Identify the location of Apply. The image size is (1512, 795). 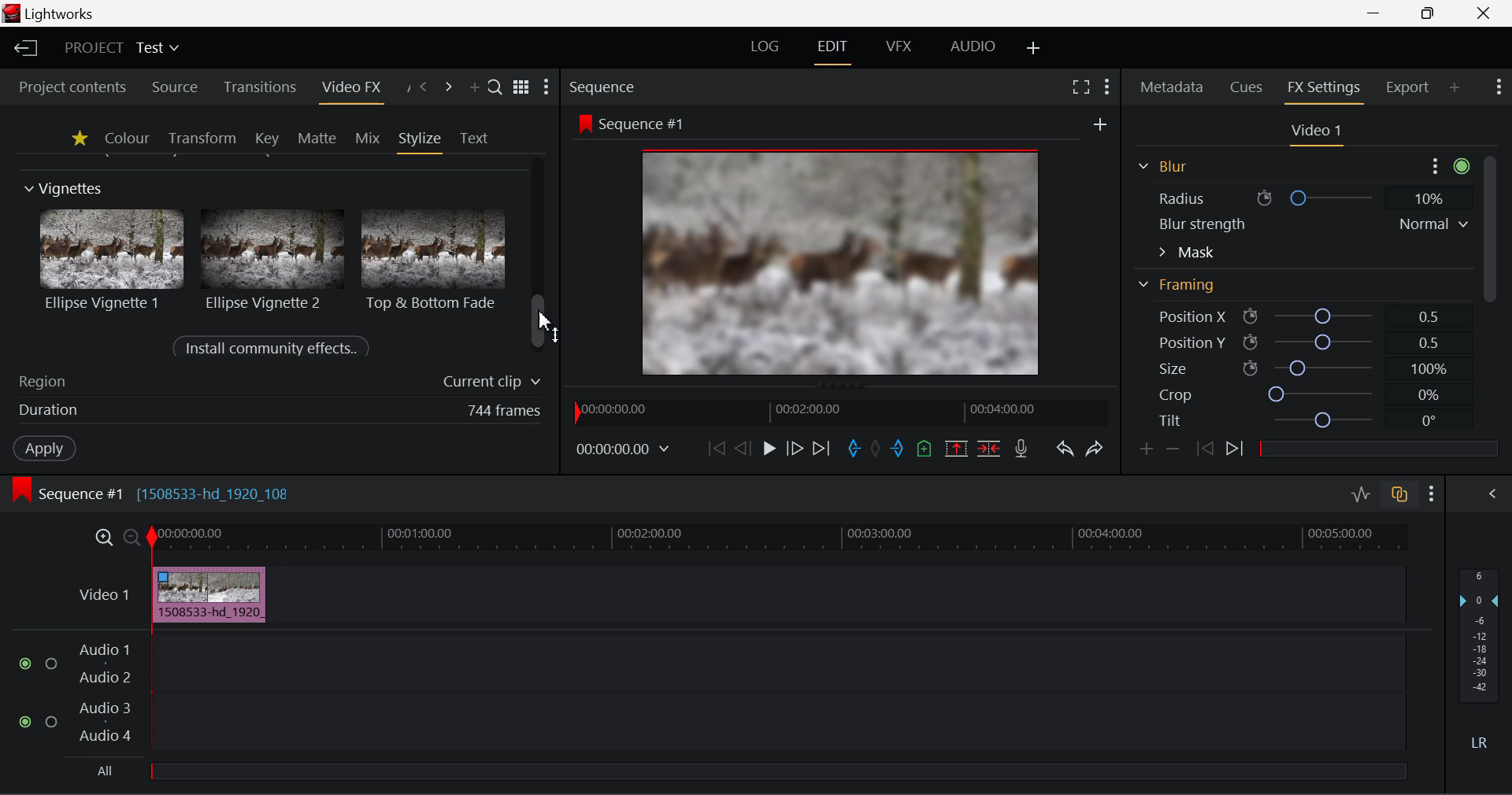
(44, 450).